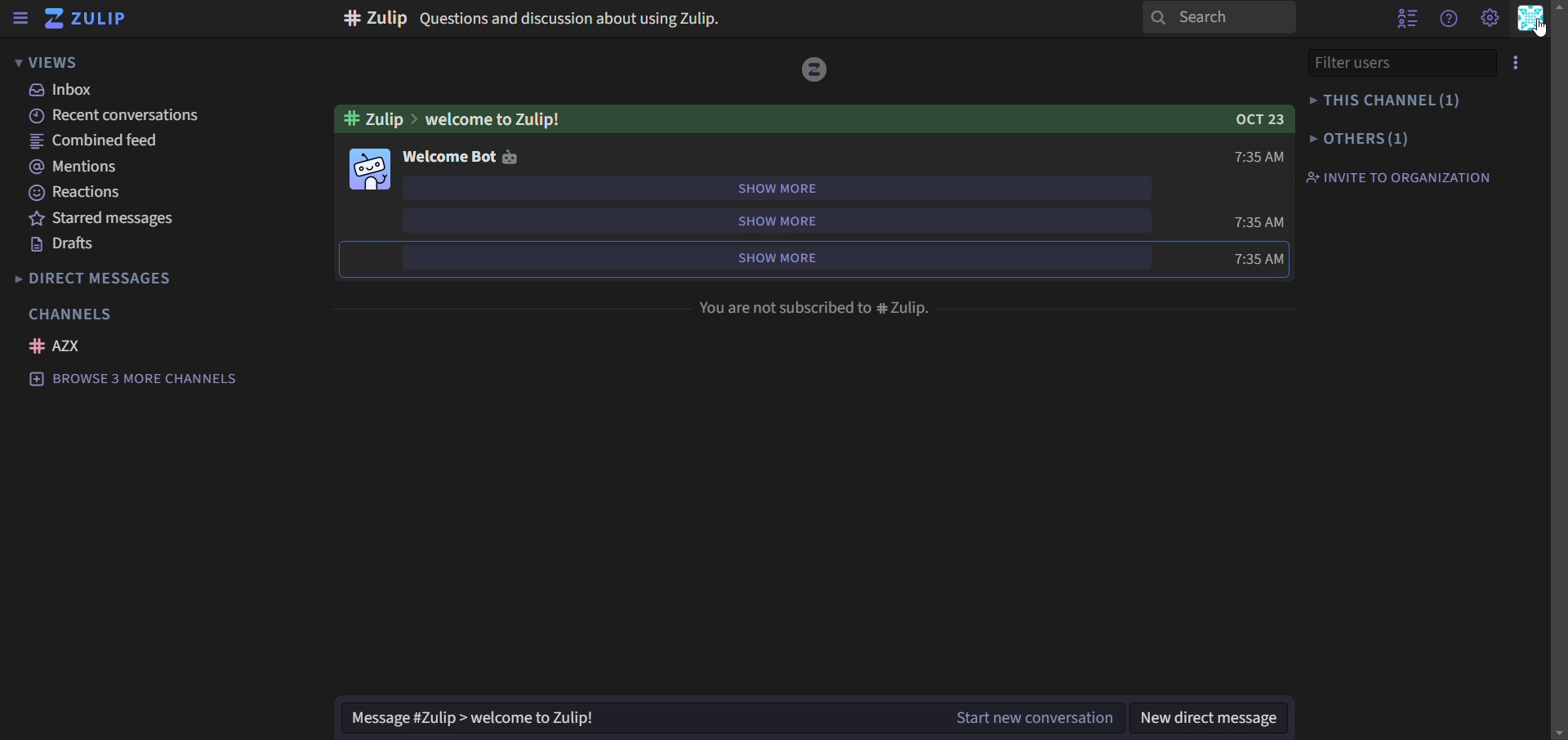  Describe the element at coordinates (75, 168) in the screenshot. I see `mentions` at that location.